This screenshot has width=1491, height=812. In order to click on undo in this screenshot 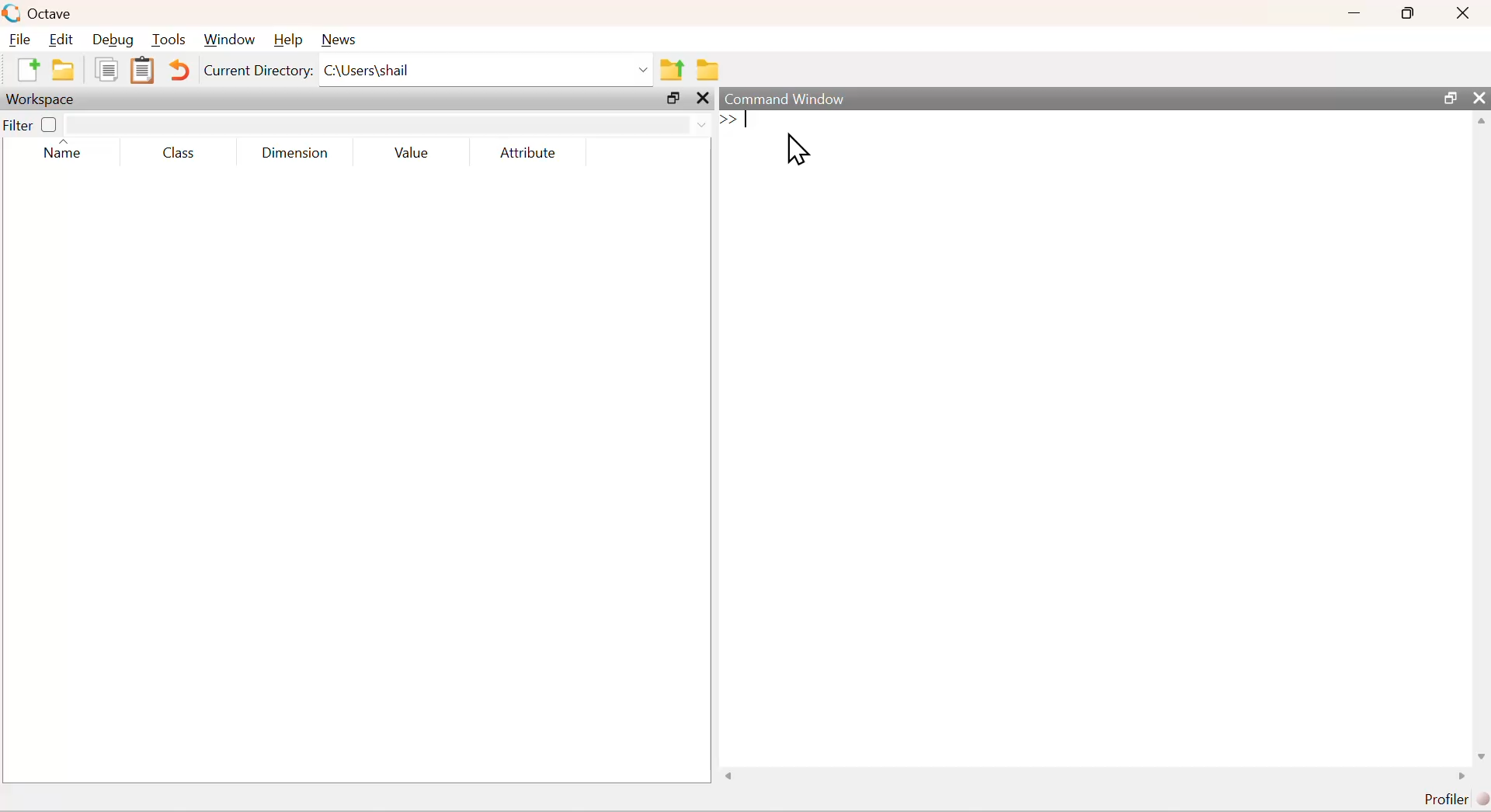, I will do `click(179, 69)`.